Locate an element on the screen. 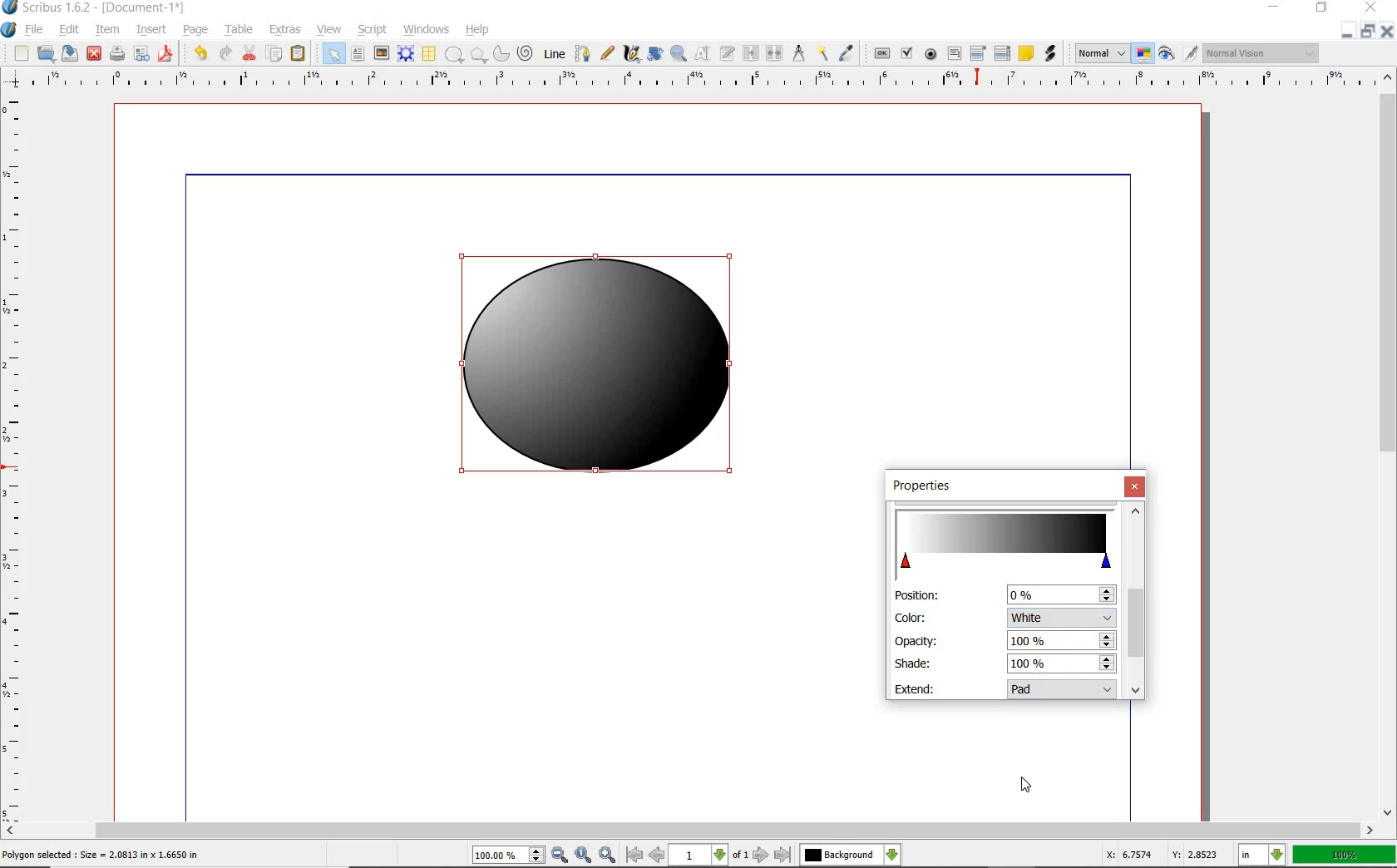 The image size is (1397, 868). WINDOWS is located at coordinates (427, 30).